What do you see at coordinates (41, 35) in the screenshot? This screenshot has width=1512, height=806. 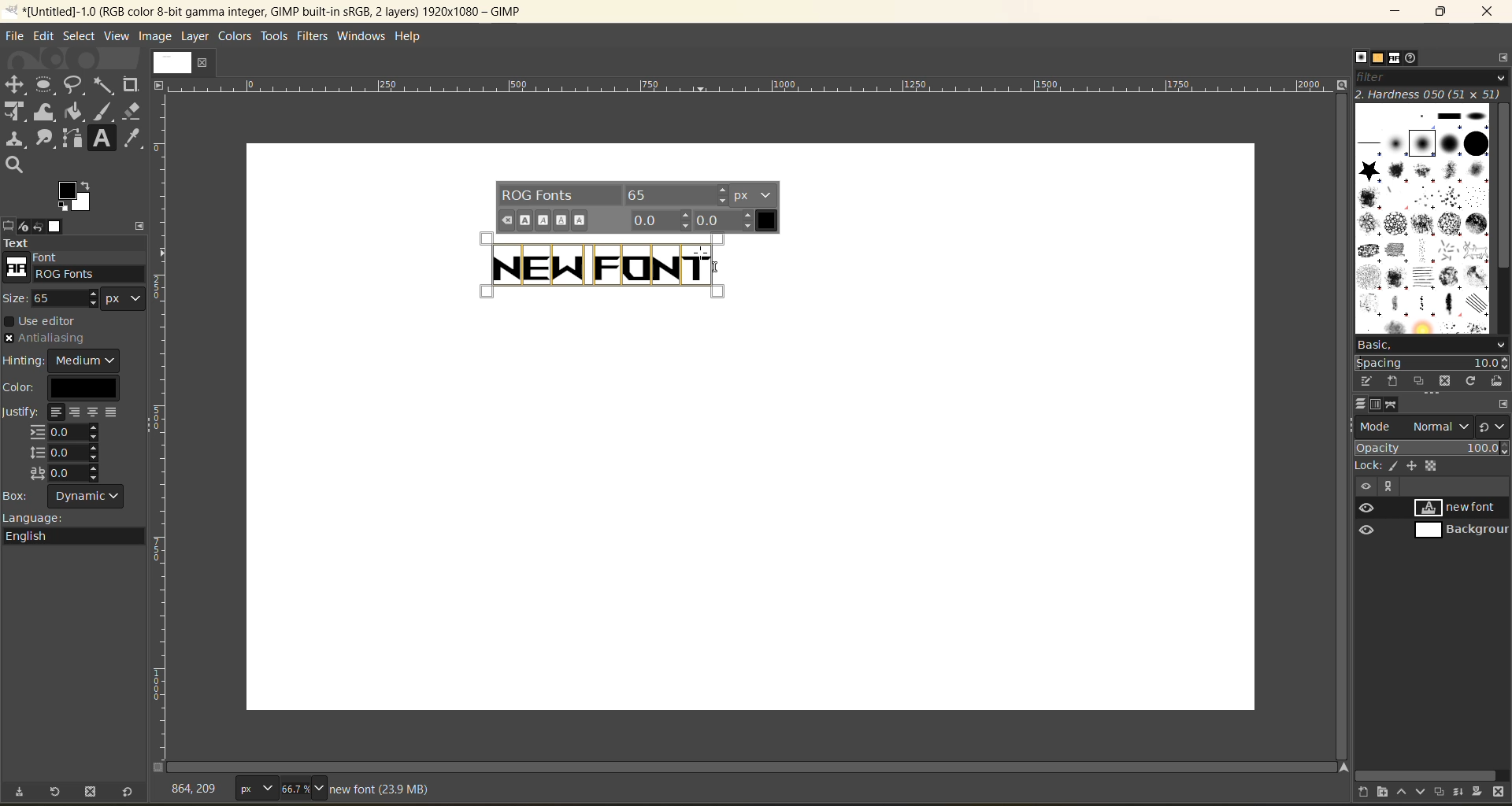 I see `edit` at bounding box center [41, 35].